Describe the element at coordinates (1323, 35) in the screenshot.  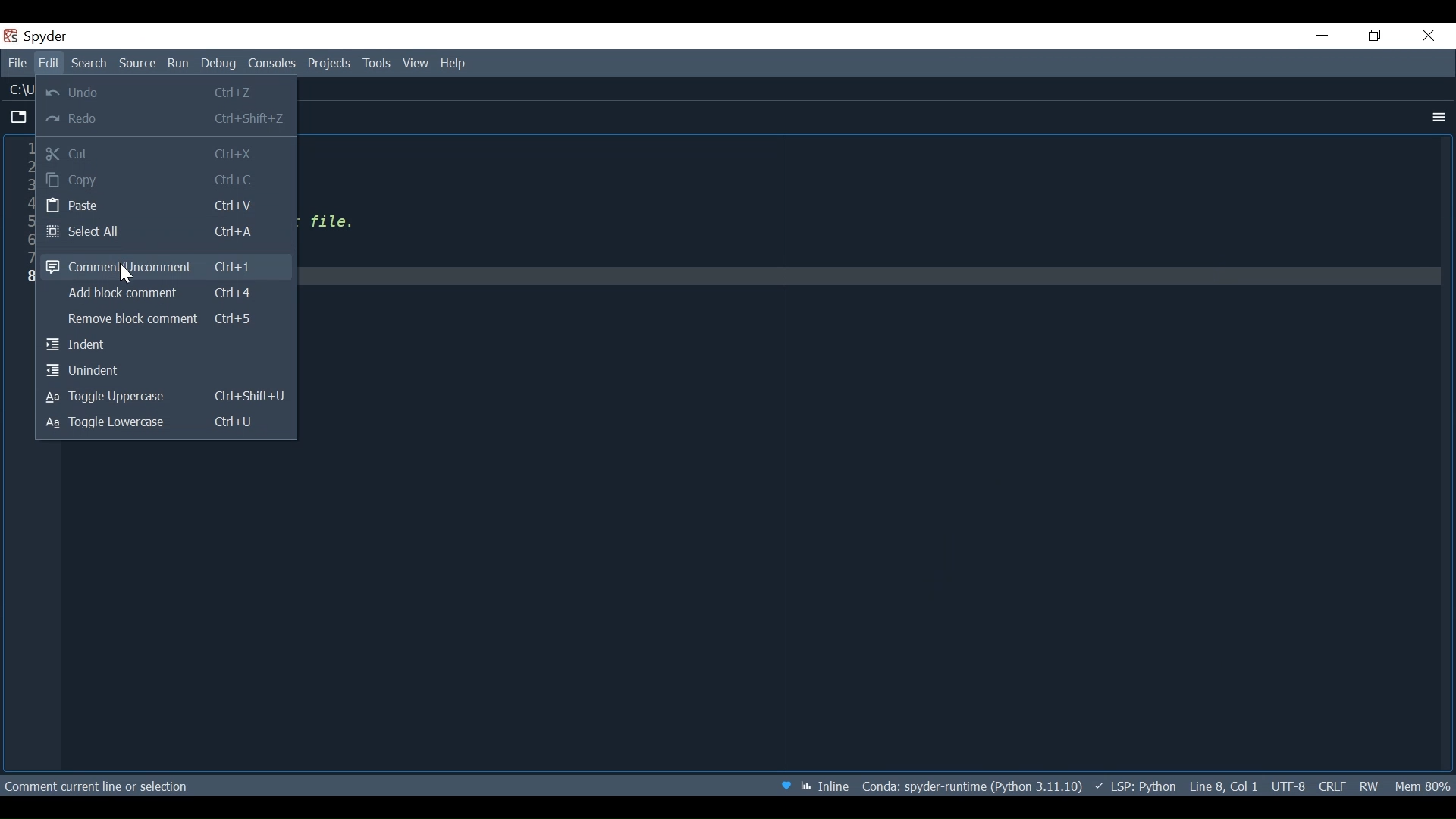
I see `Minimize` at that location.